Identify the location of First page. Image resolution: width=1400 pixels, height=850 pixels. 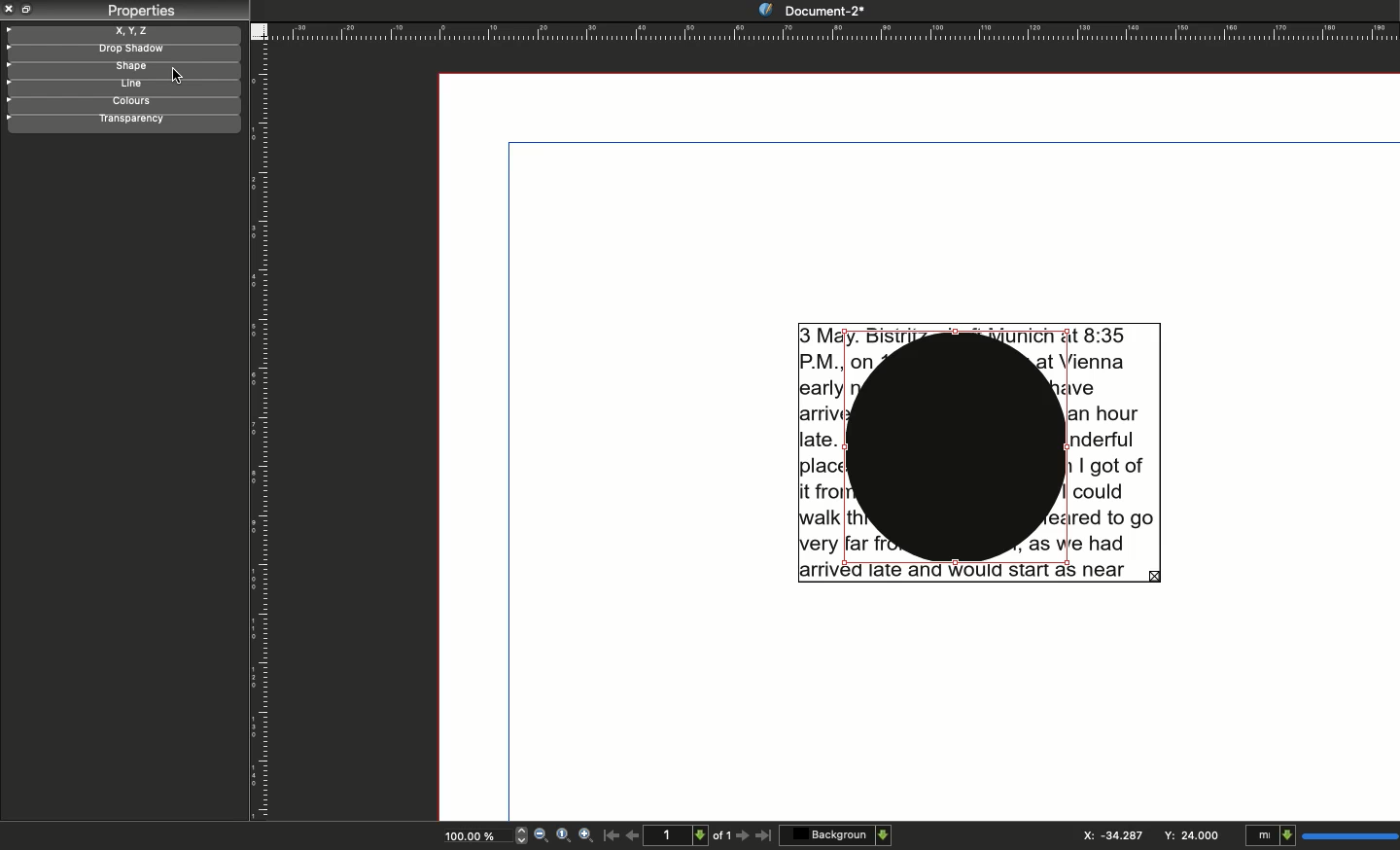
(610, 838).